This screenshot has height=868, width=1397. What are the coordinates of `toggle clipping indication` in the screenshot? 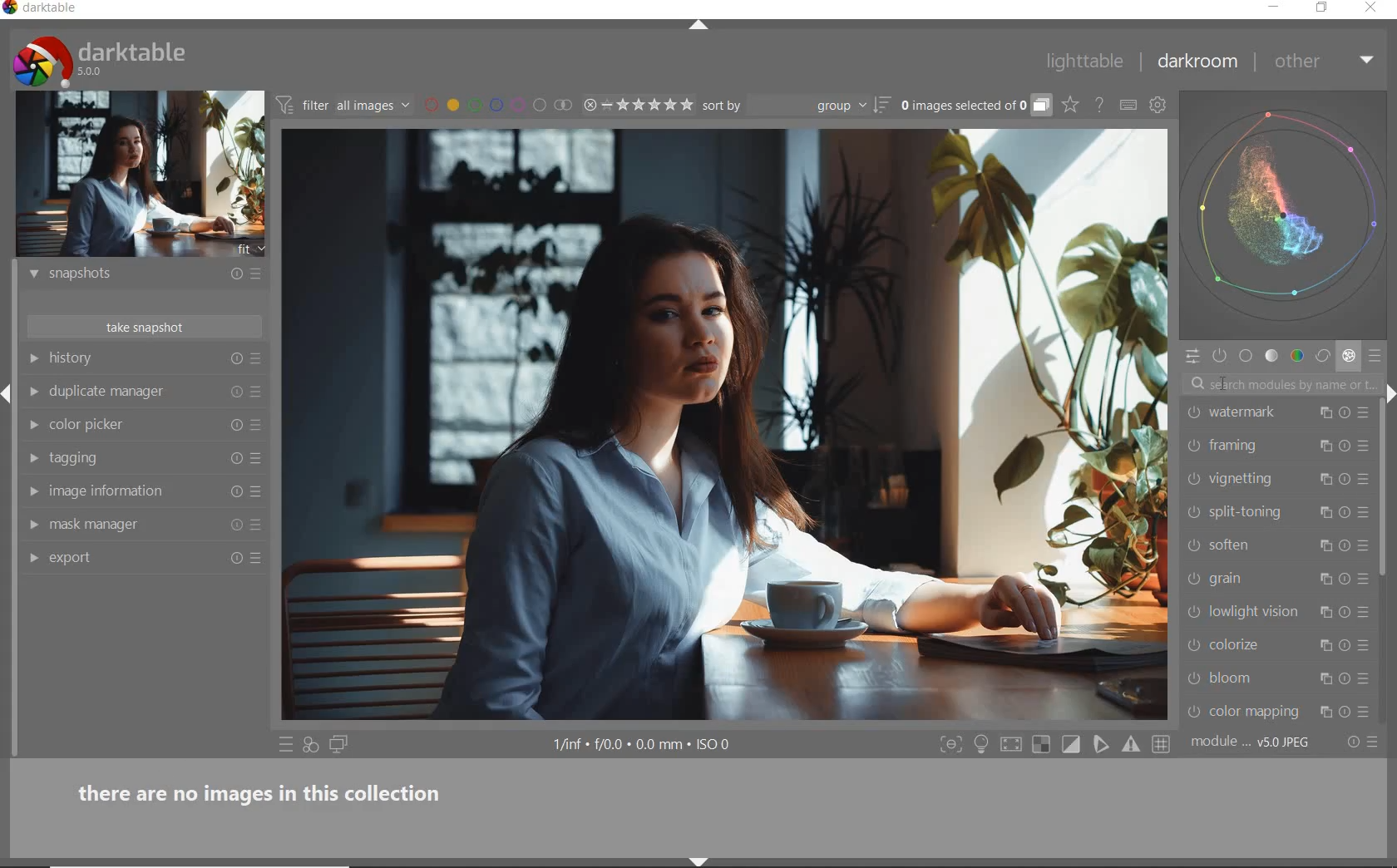 It's located at (1073, 744).